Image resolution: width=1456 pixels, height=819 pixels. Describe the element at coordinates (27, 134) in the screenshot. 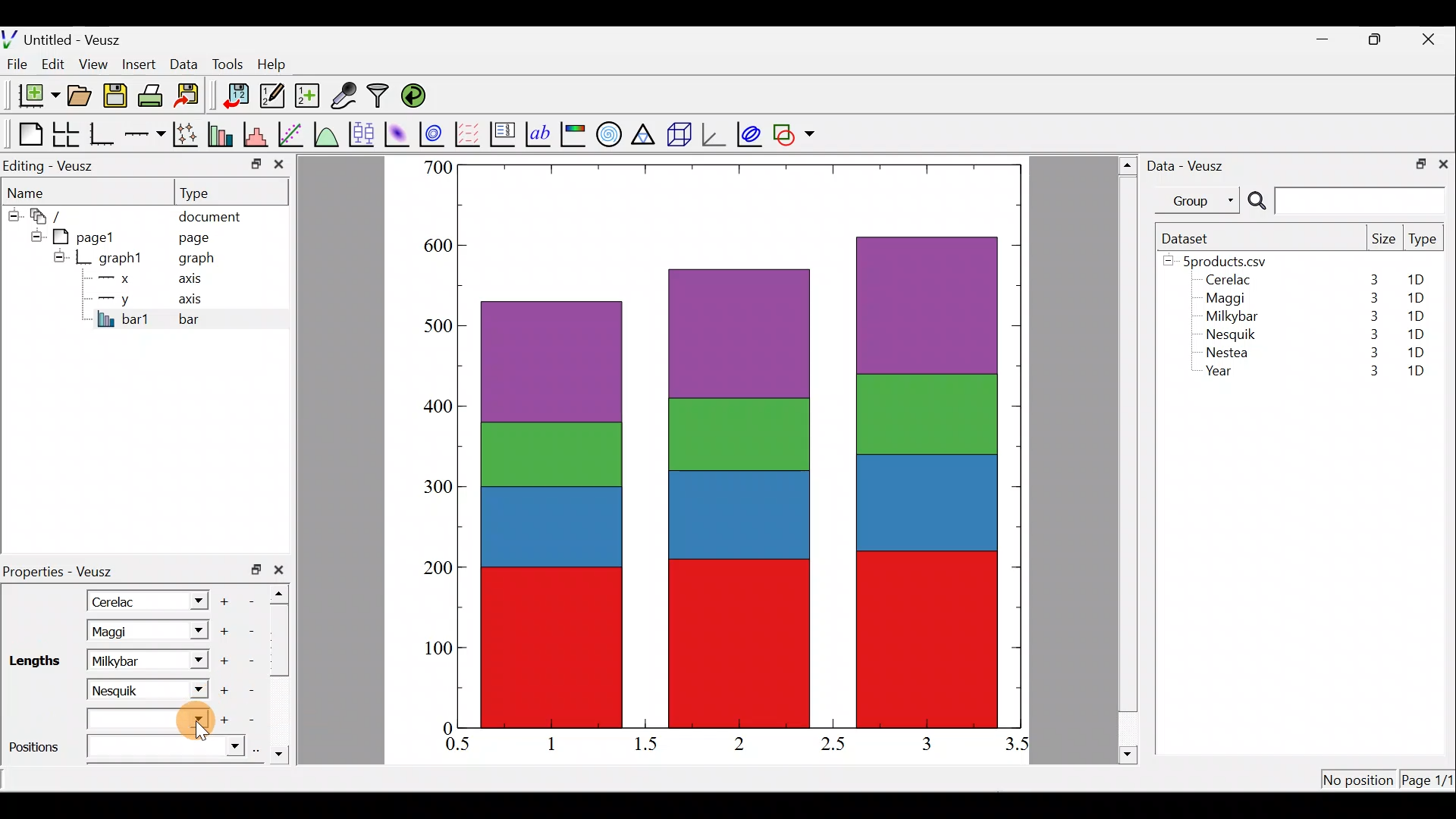

I see `Blank page` at that location.